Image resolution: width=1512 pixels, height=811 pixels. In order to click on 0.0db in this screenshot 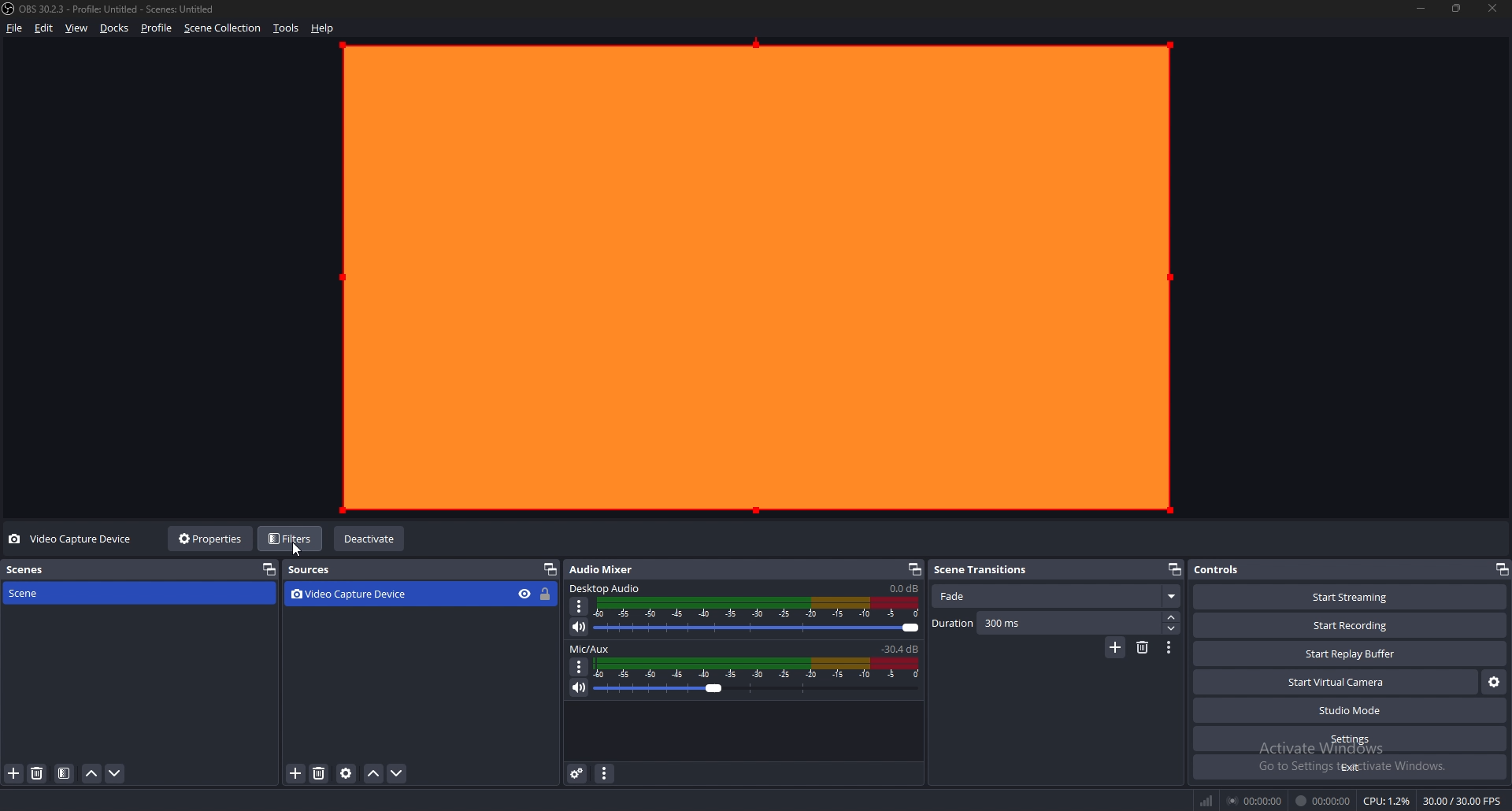, I will do `click(902, 587)`.